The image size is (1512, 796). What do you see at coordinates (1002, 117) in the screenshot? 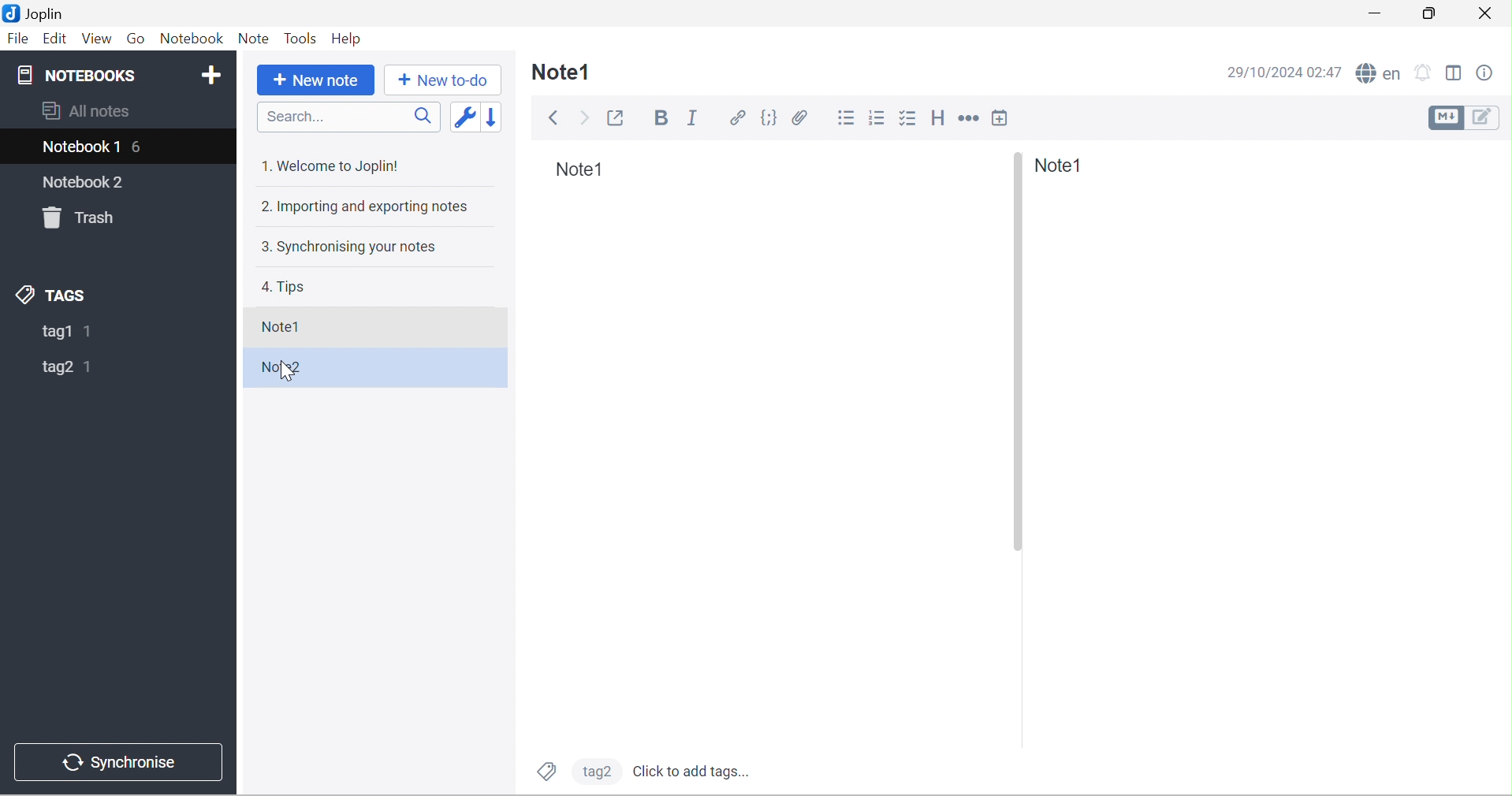
I see `Insert time` at bounding box center [1002, 117].